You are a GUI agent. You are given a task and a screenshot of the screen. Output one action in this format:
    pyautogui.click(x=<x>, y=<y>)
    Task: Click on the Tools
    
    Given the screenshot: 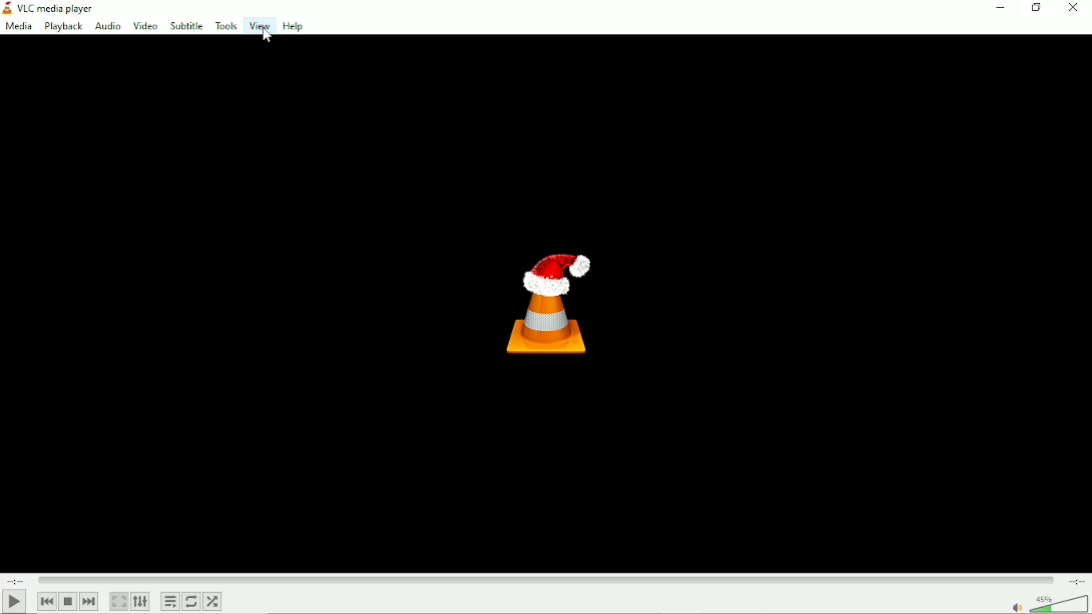 What is the action you would take?
    pyautogui.click(x=226, y=25)
    